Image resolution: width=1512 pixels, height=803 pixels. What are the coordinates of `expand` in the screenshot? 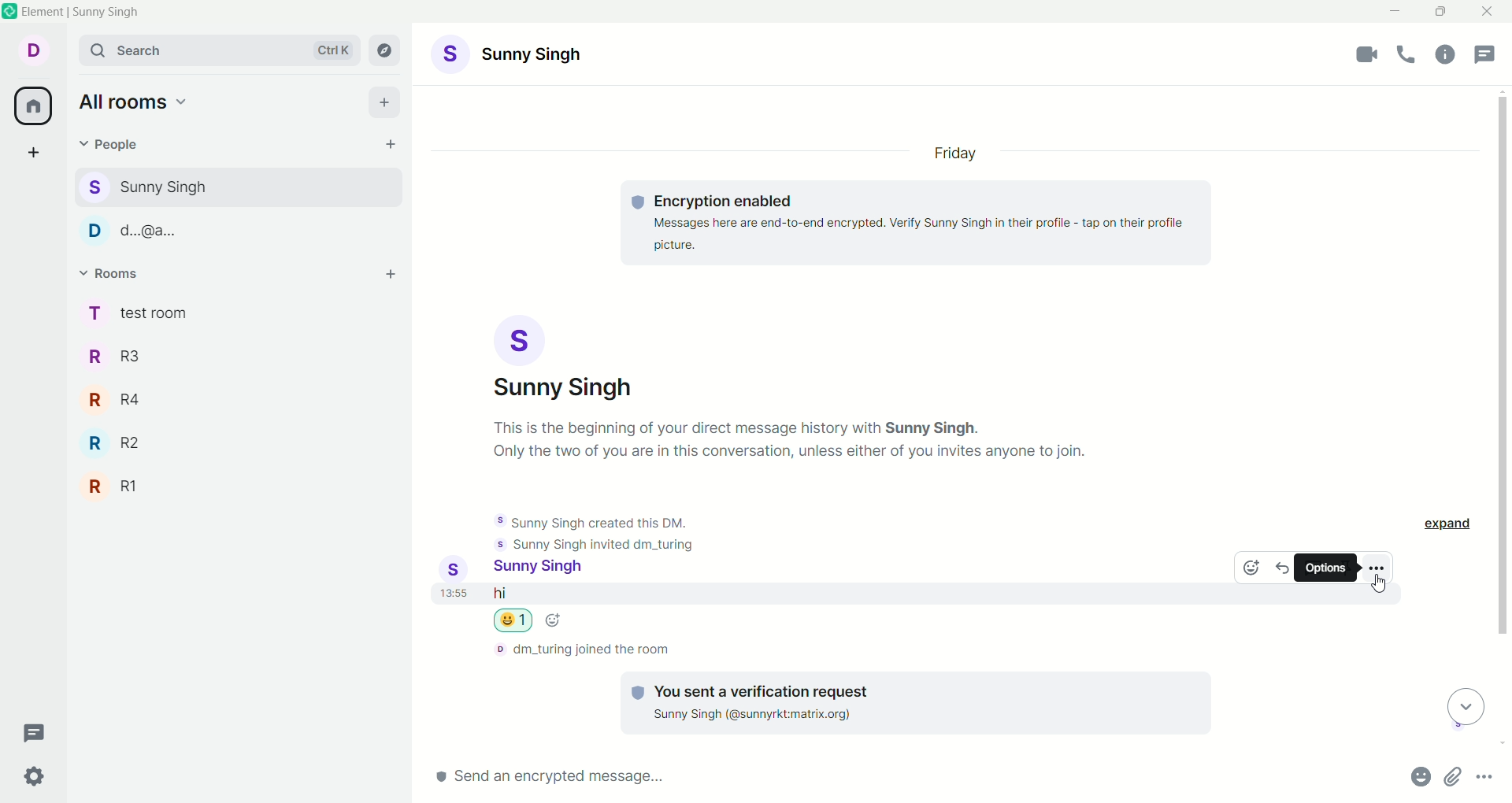 It's located at (1450, 526).